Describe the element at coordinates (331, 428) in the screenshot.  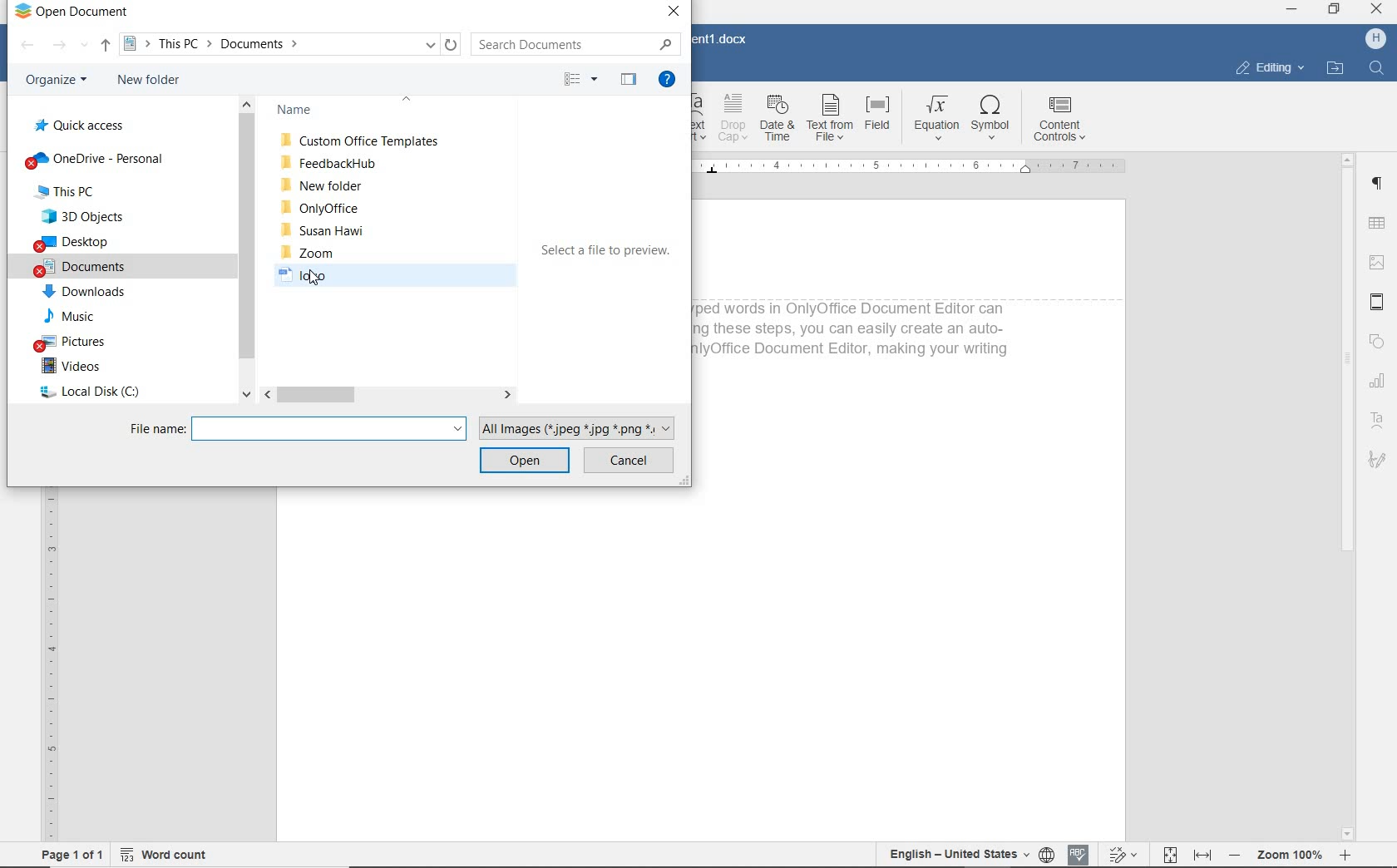
I see `search bar` at that location.